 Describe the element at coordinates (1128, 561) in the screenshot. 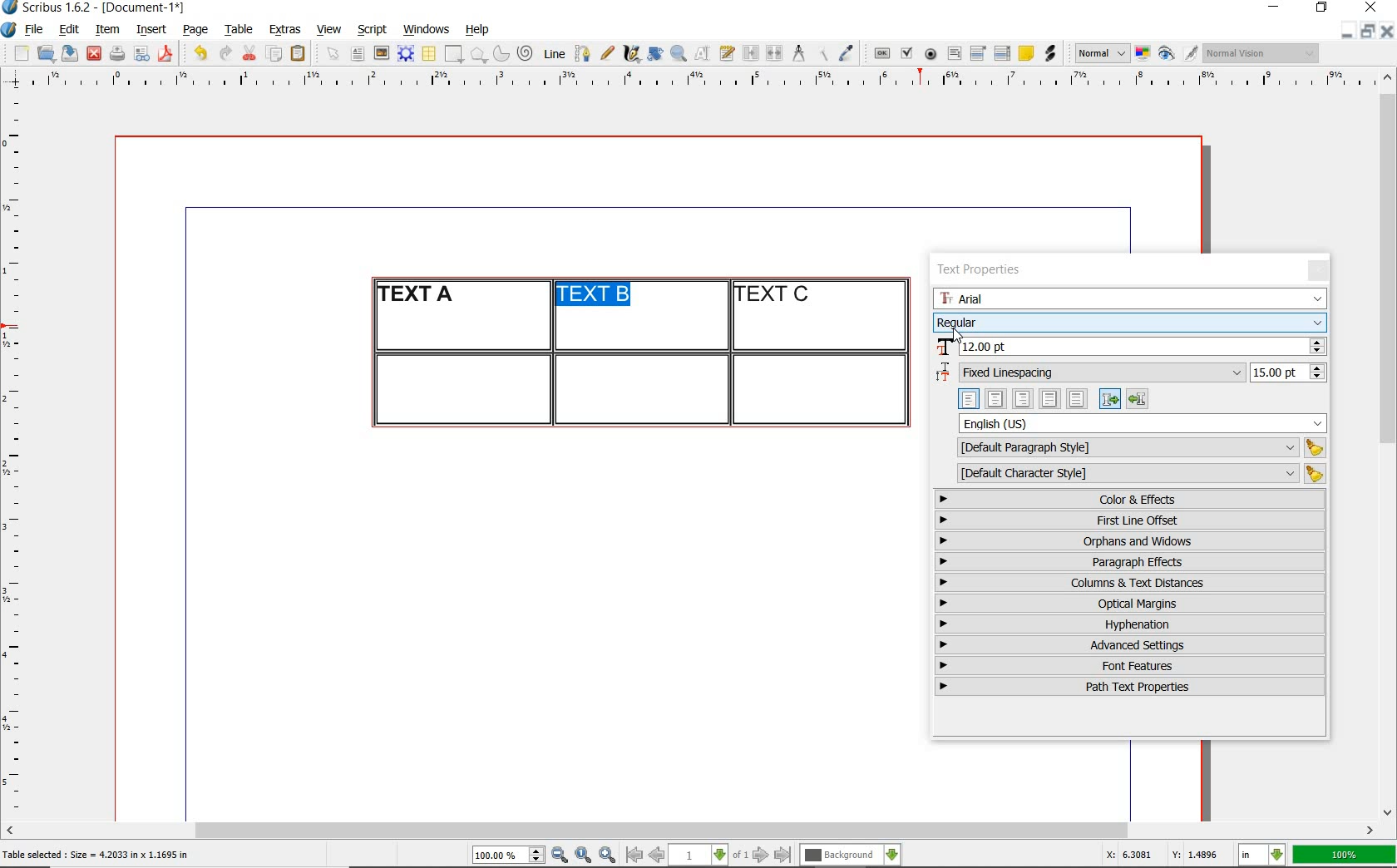

I see `paragraph effects` at that location.